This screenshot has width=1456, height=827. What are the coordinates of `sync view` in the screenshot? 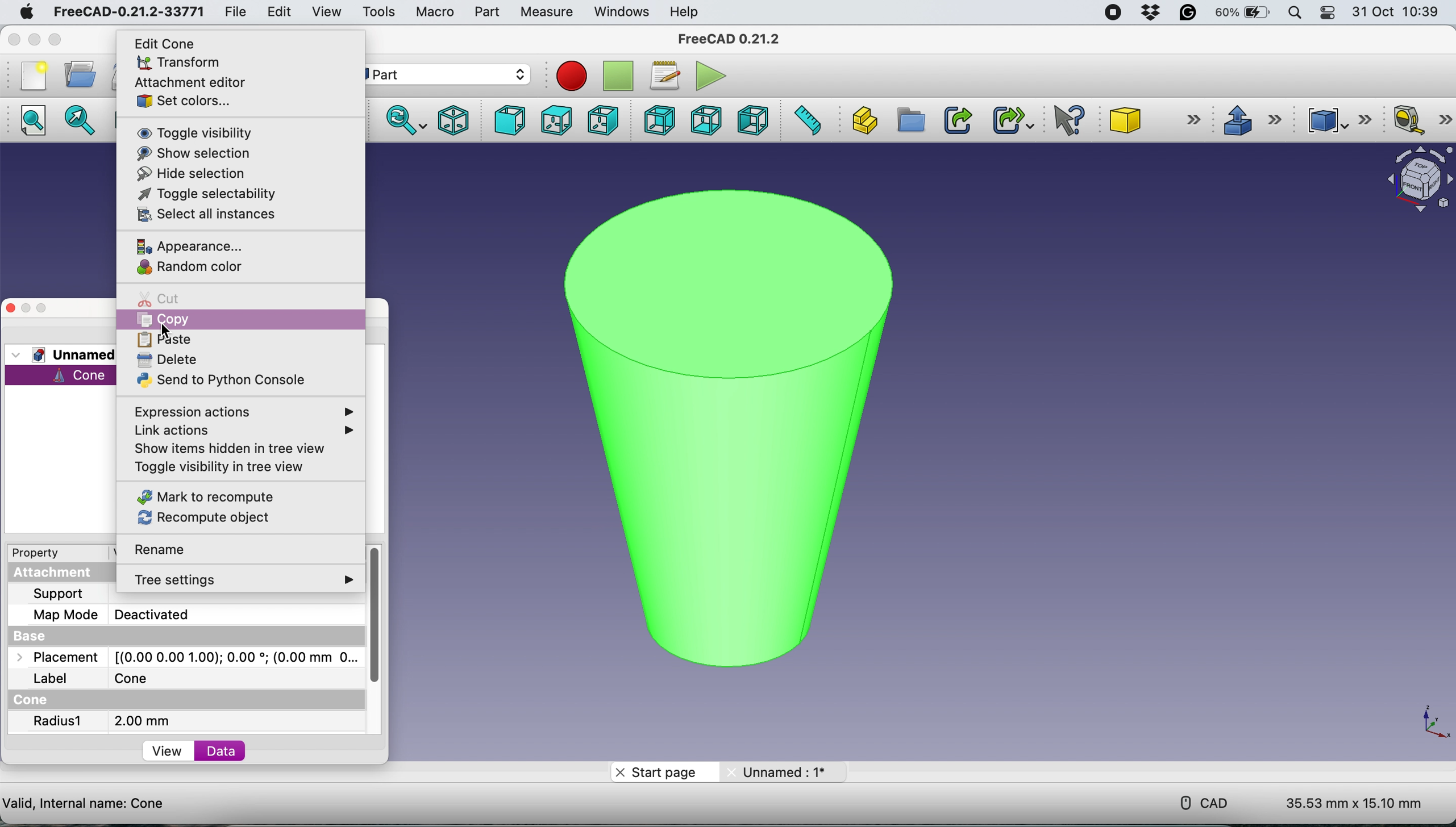 It's located at (403, 120).